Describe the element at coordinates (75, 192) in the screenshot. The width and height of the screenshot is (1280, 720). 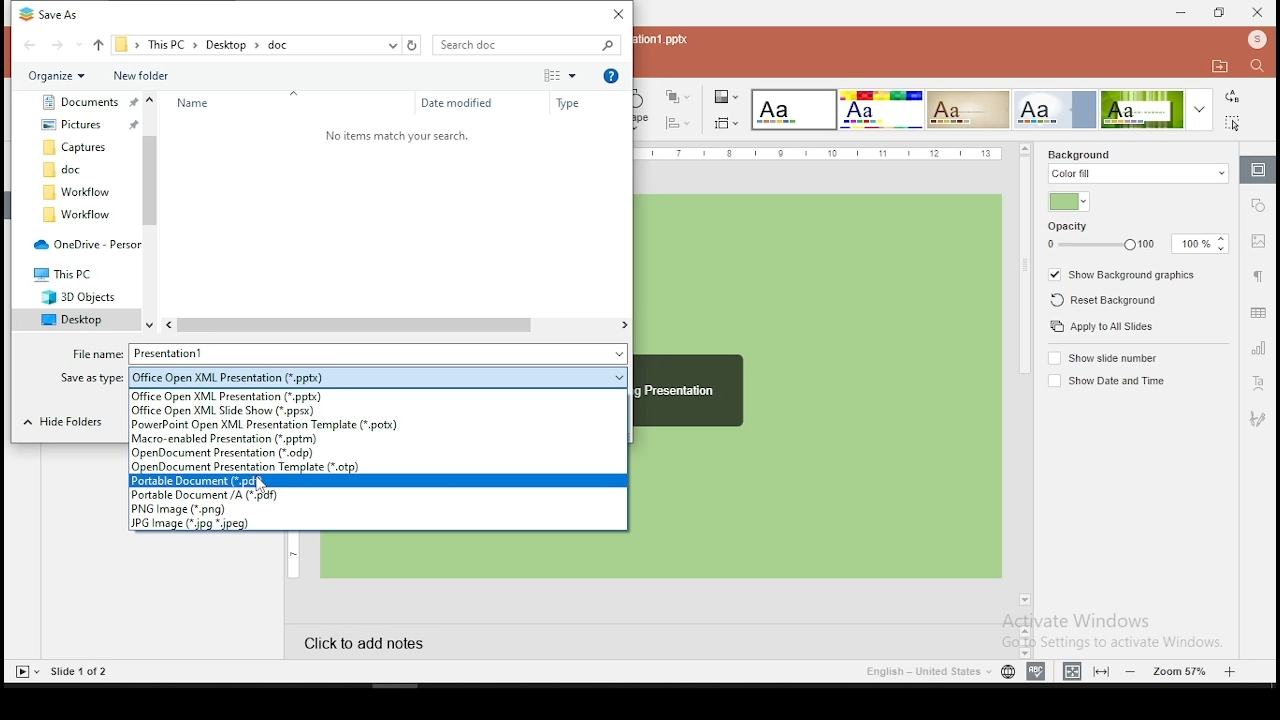
I see `workflow` at that location.